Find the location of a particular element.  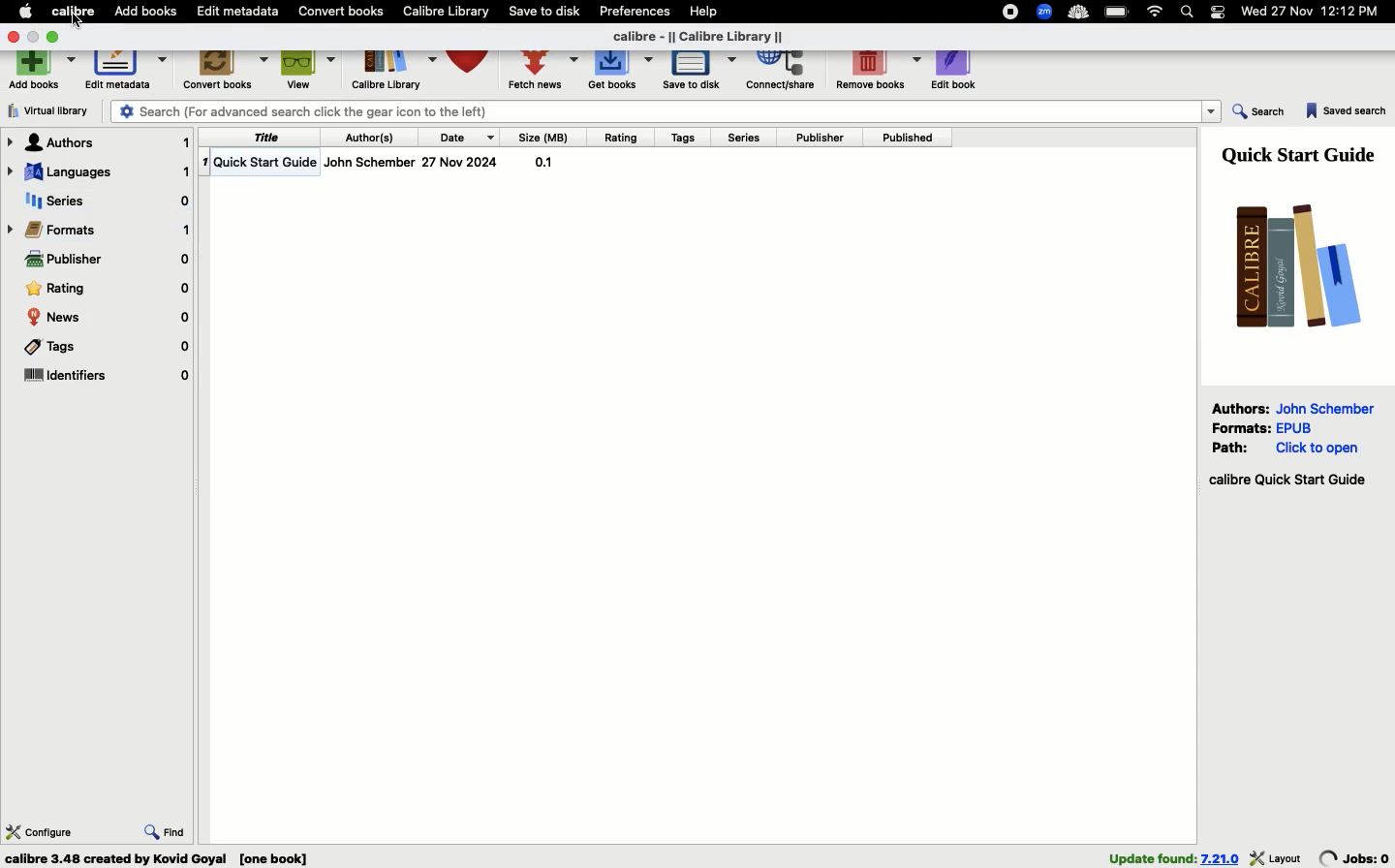

Languages is located at coordinates (98, 173).